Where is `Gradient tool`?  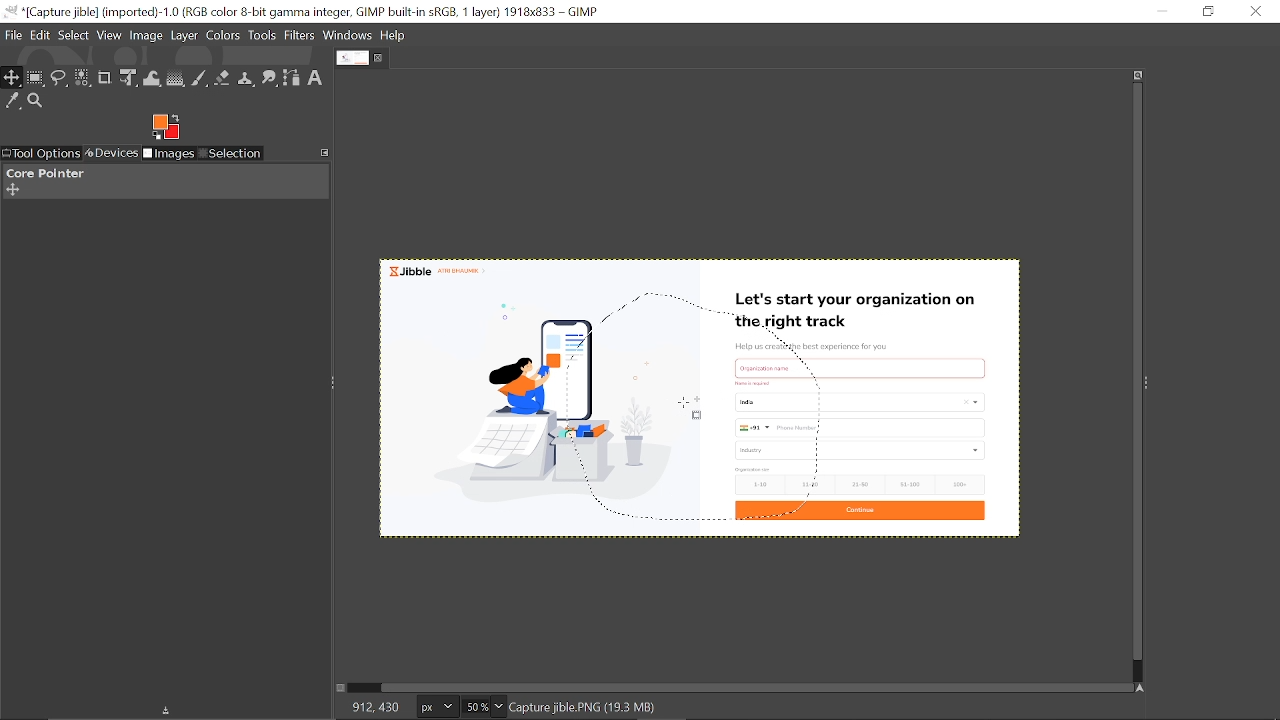 Gradient tool is located at coordinates (177, 79).